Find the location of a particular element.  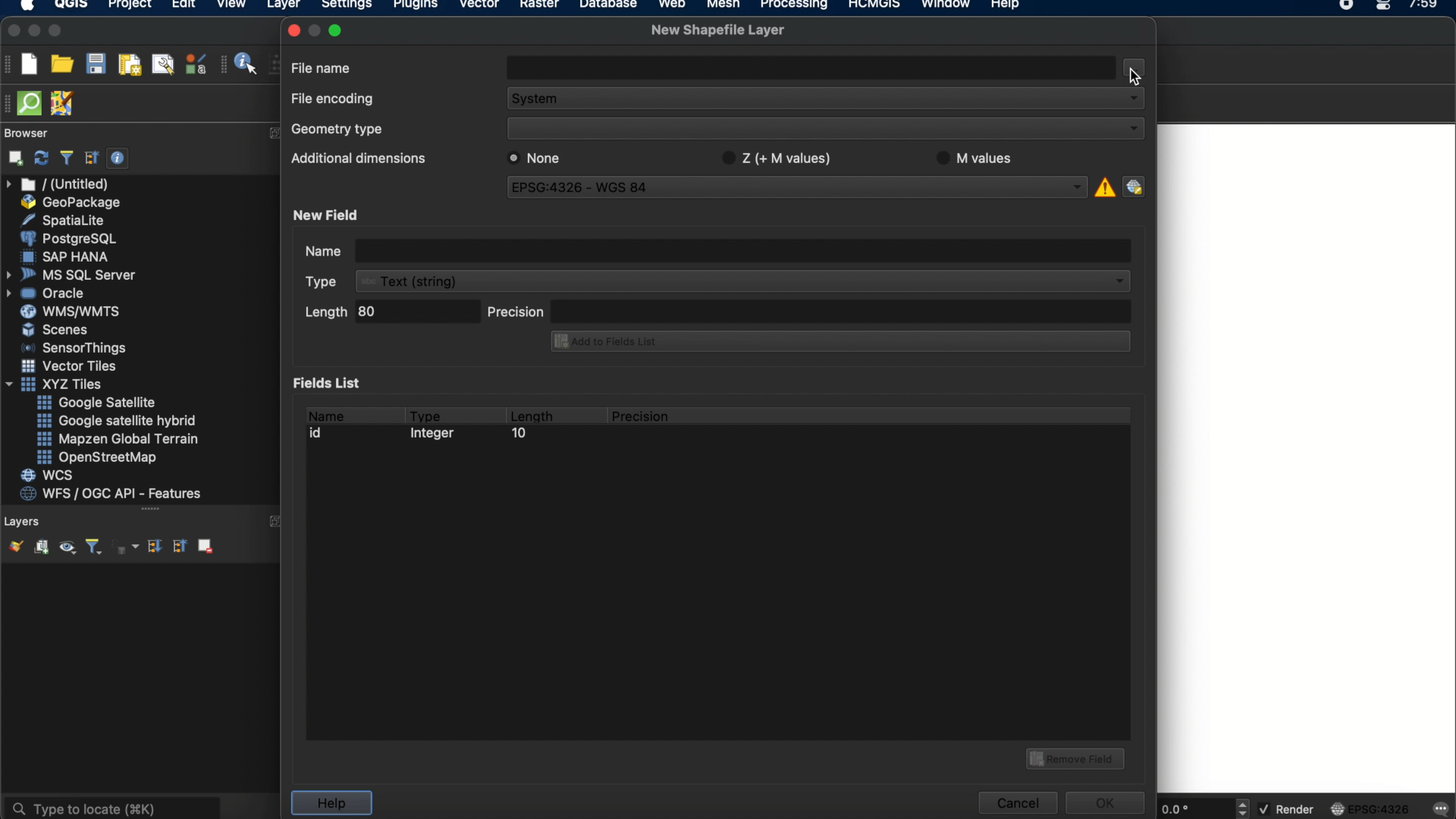

integer is located at coordinates (436, 435).